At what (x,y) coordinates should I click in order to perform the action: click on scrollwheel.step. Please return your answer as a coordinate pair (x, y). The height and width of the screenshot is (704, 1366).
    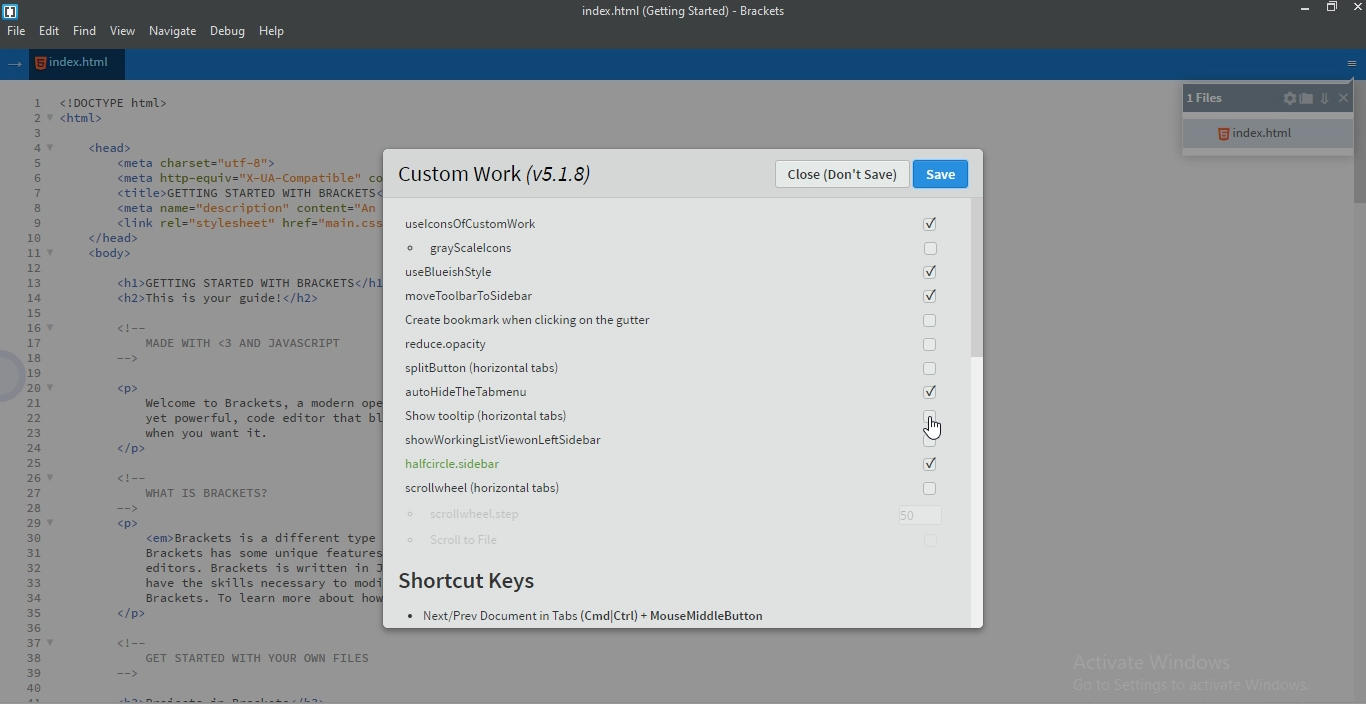
    Looking at the image, I should click on (675, 514).